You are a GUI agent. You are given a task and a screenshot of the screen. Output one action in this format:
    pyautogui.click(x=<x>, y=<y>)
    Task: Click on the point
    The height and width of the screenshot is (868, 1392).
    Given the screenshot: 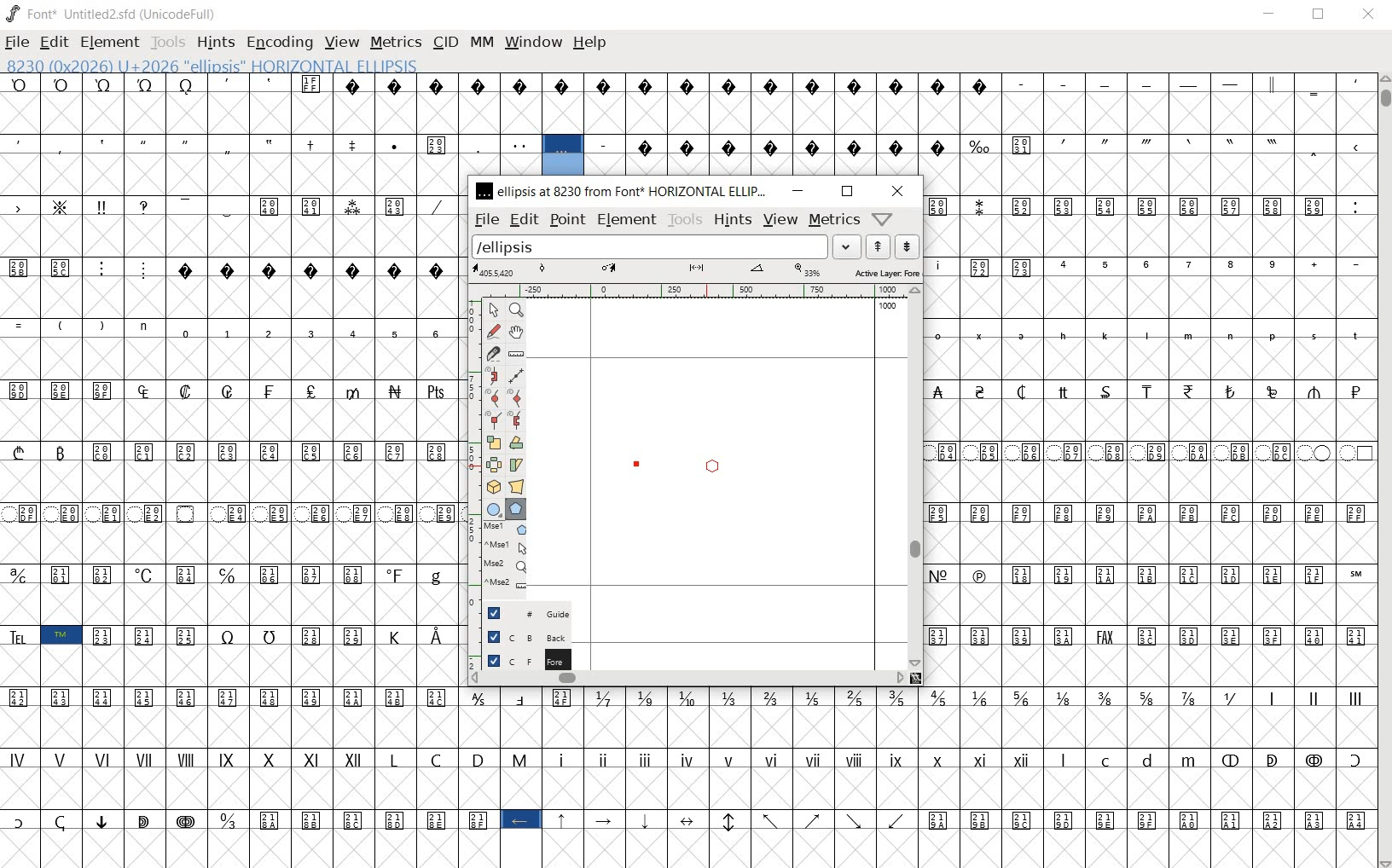 What is the action you would take?
    pyautogui.click(x=566, y=220)
    